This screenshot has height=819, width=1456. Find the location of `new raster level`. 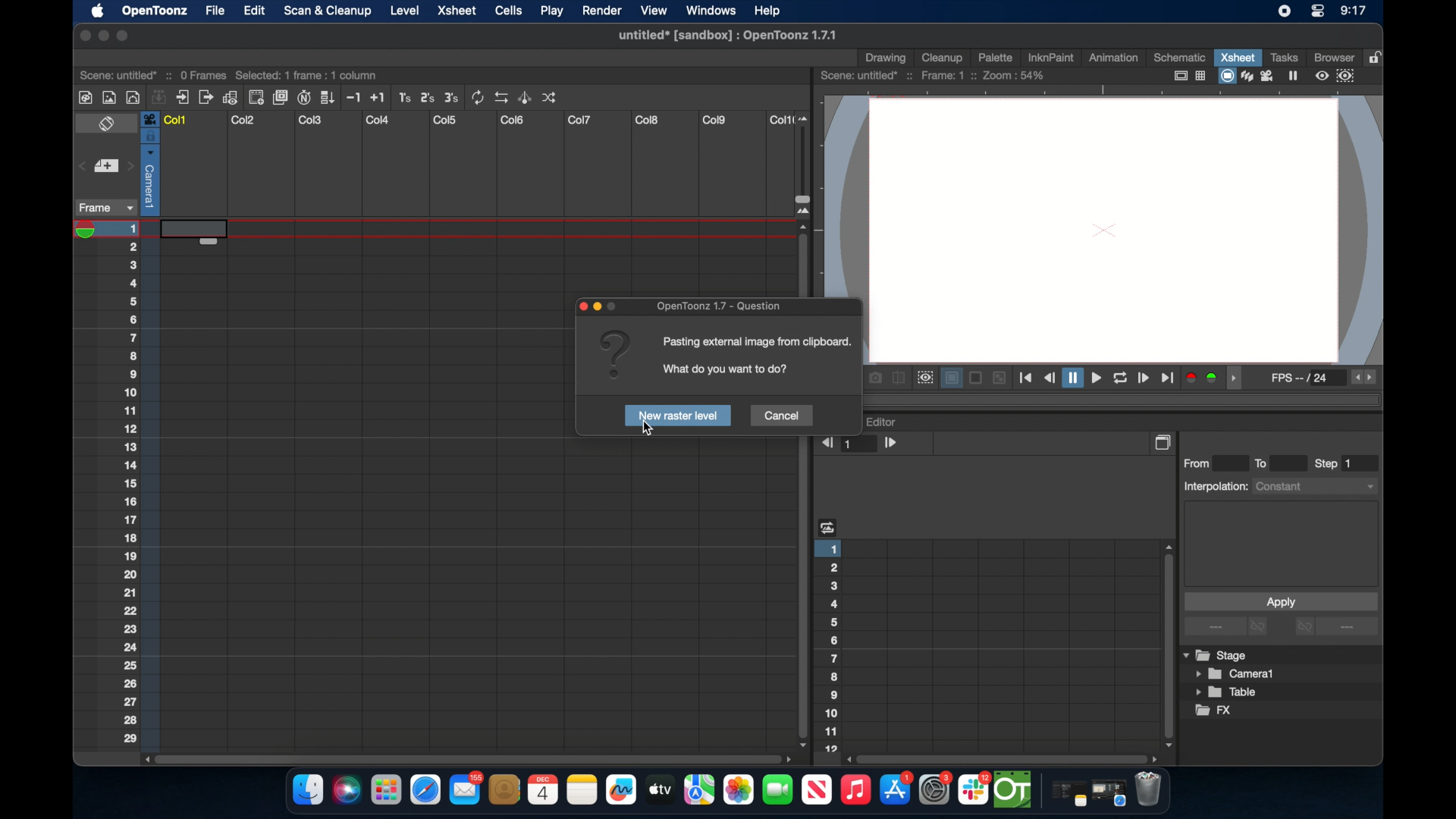

new raster level is located at coordinates (679, 411).